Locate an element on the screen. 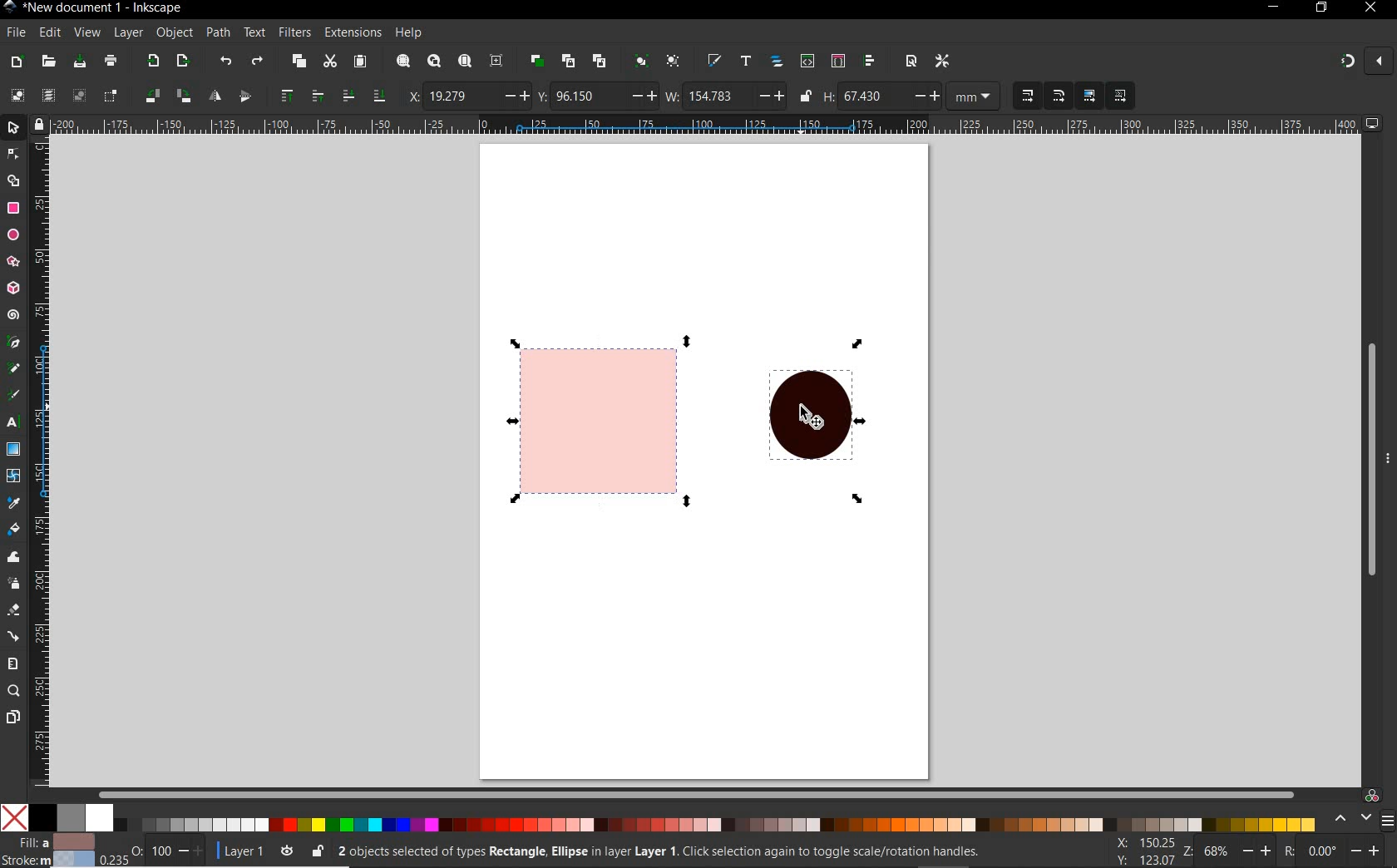 The width and height of the screenshot is (1397, 868). object is located at coordinates (174, 32).